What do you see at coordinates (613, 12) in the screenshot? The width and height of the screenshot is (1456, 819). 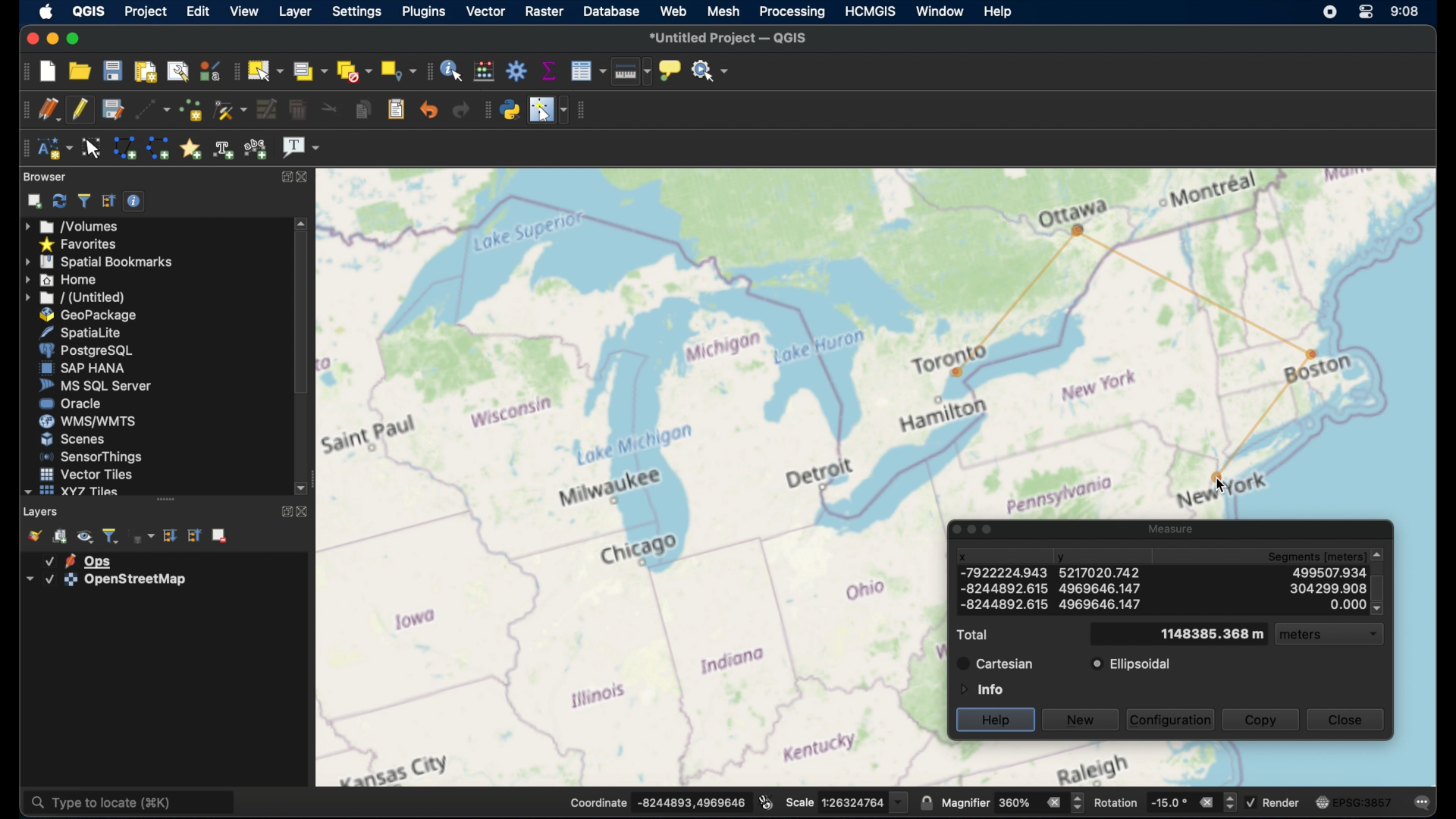 I see `database` at bounding box center [613, 12].